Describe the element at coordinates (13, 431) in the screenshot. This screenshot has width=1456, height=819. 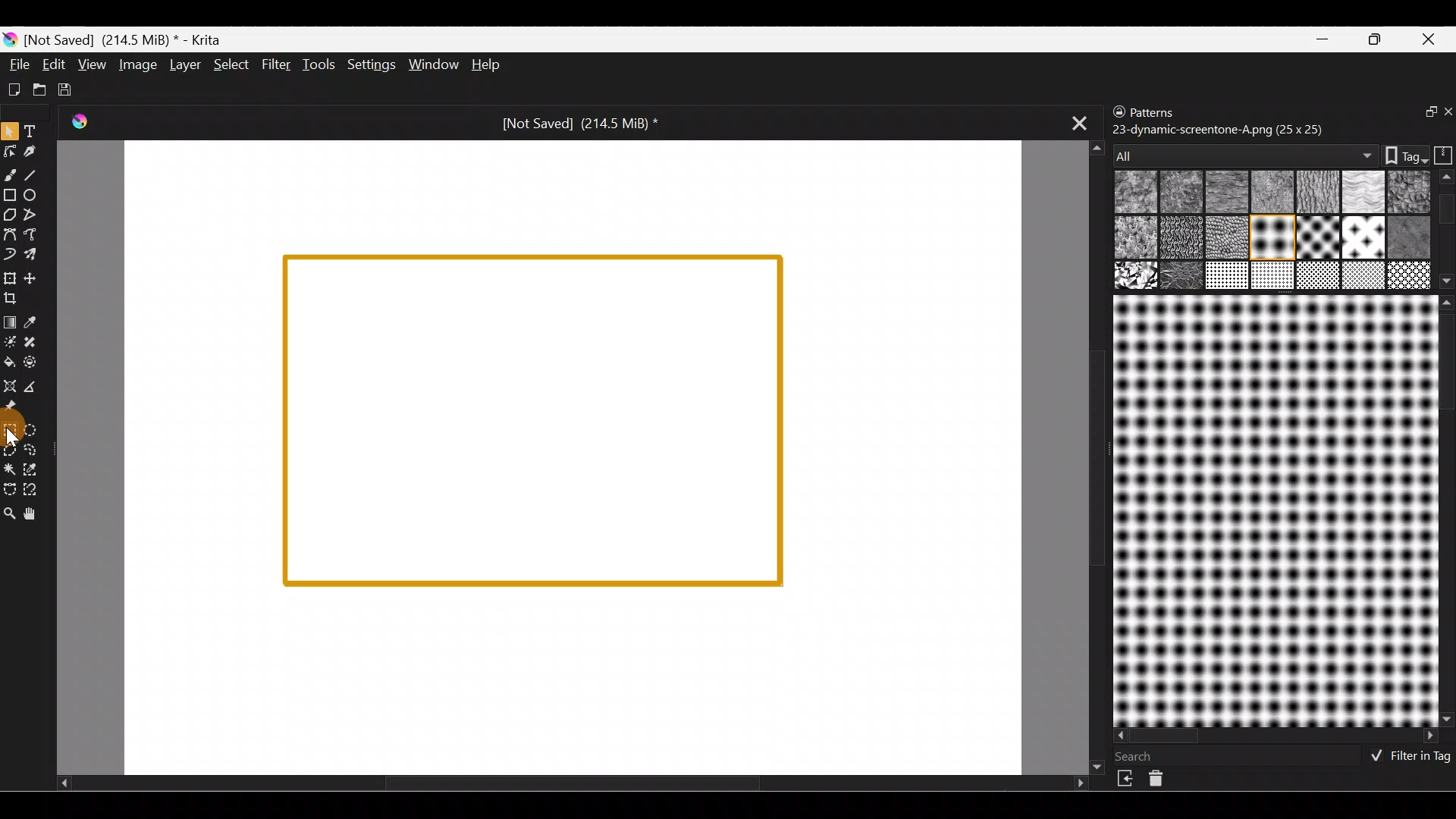
I see `Cursor on rectangular selection tool` at that location.